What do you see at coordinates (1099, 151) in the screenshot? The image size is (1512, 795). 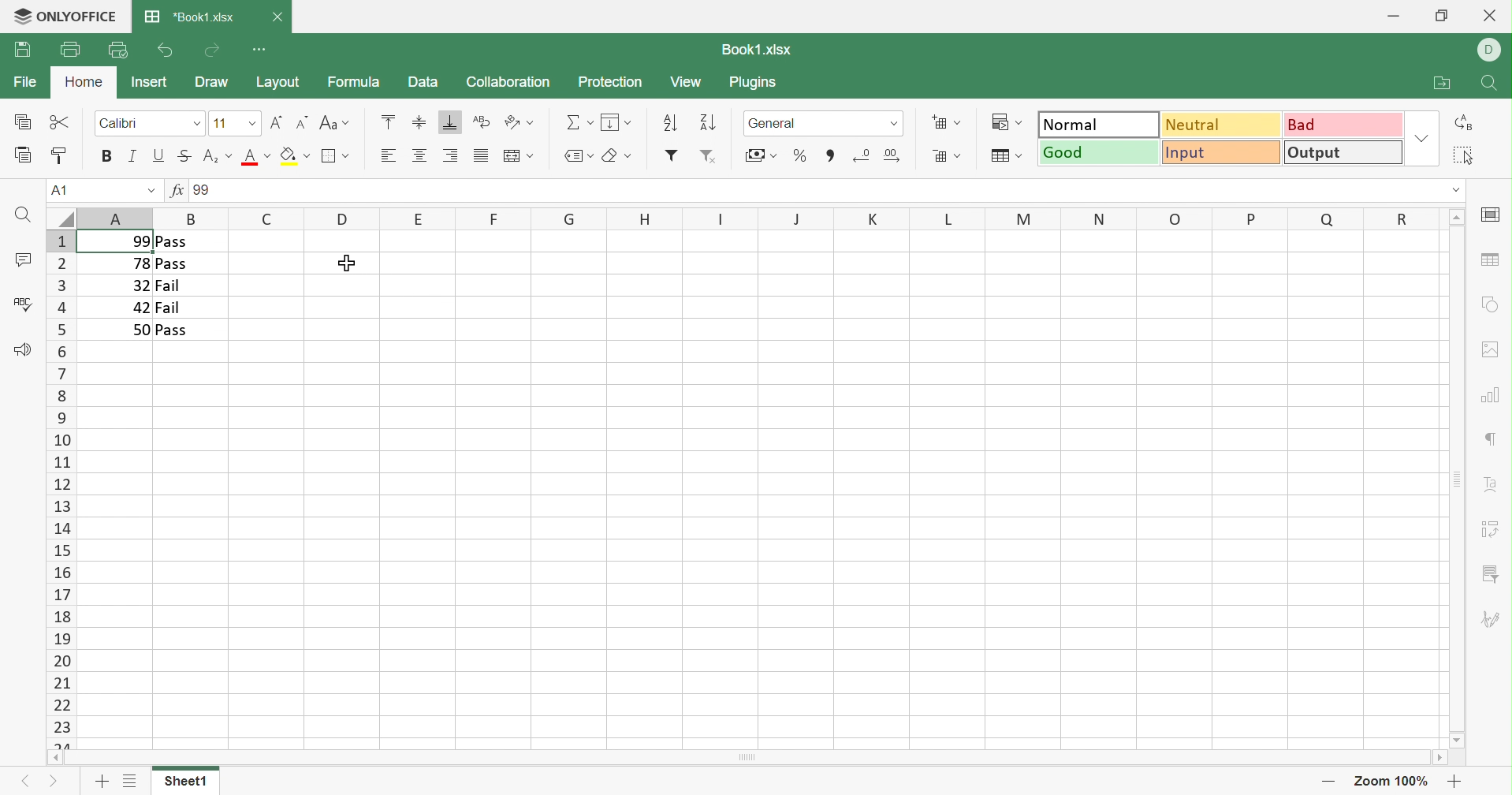 I see `Good` at bounding box center [1099, 151].